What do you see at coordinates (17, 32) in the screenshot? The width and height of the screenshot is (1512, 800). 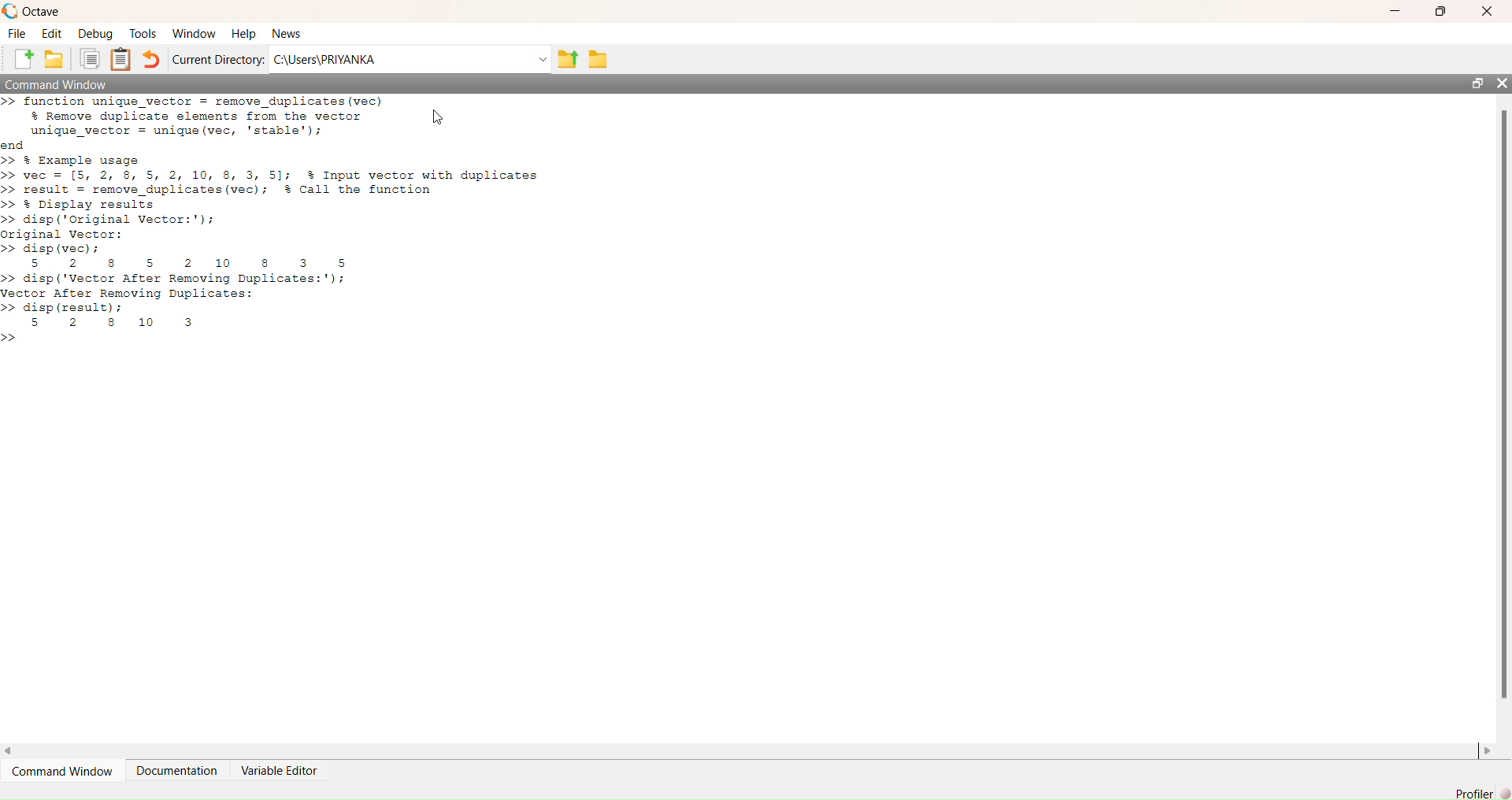 I see `file` at bounding box center [17, 32].